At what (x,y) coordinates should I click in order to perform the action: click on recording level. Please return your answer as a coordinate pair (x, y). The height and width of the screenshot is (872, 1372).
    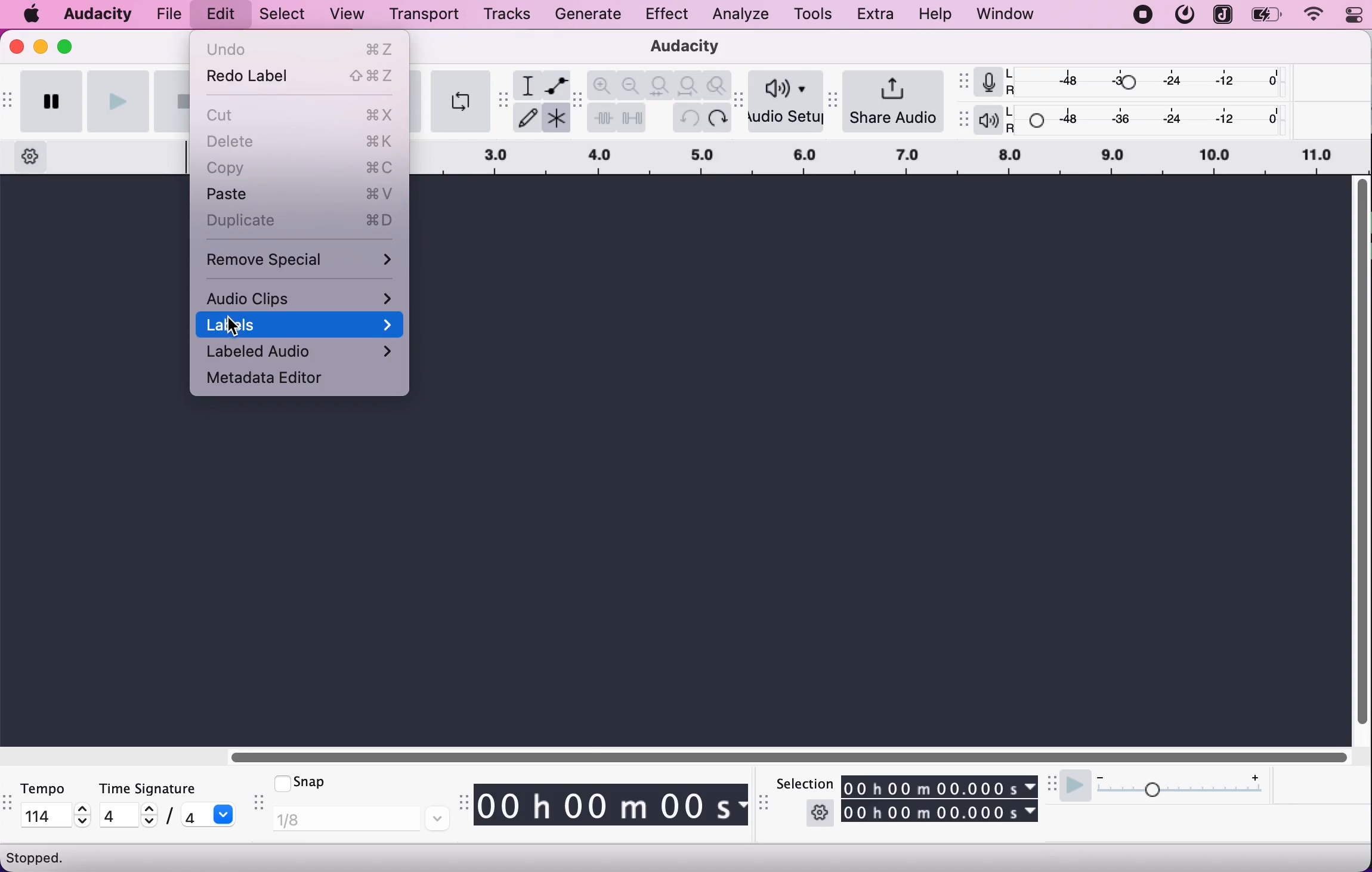
    Looking at the image, I should click on (1148, 81).